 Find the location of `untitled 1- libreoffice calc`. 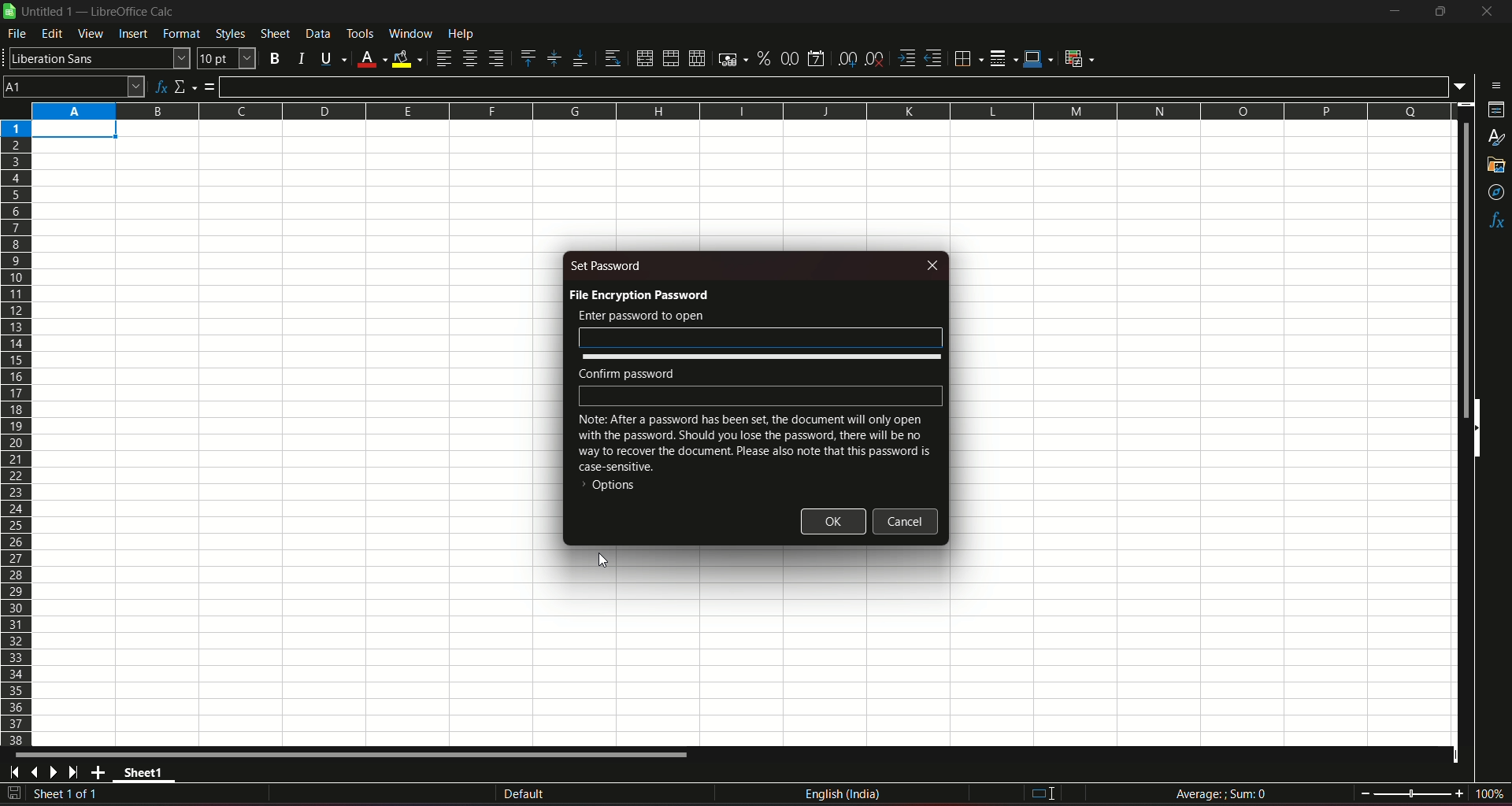

untitled 1- libreoffice calc is located at coordinates (101, 13).